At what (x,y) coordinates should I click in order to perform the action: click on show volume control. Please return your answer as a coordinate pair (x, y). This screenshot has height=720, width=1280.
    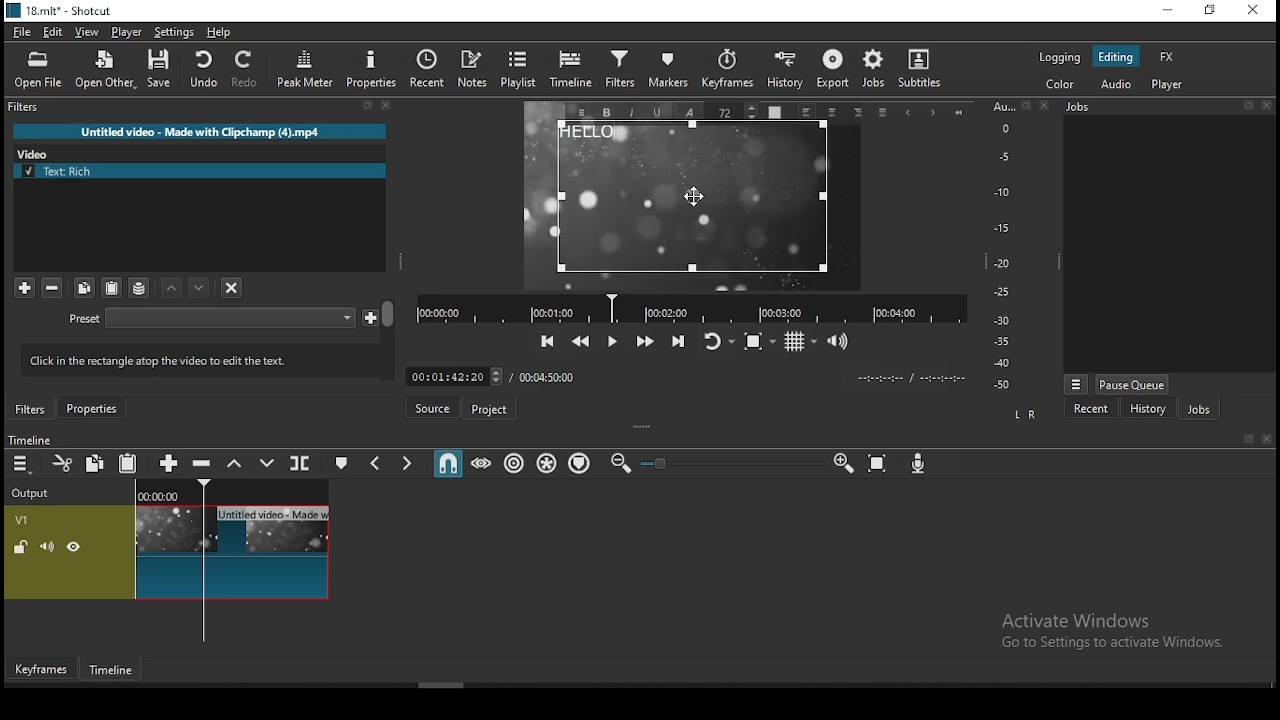
    Looking at the image, I should click on (839, 340).